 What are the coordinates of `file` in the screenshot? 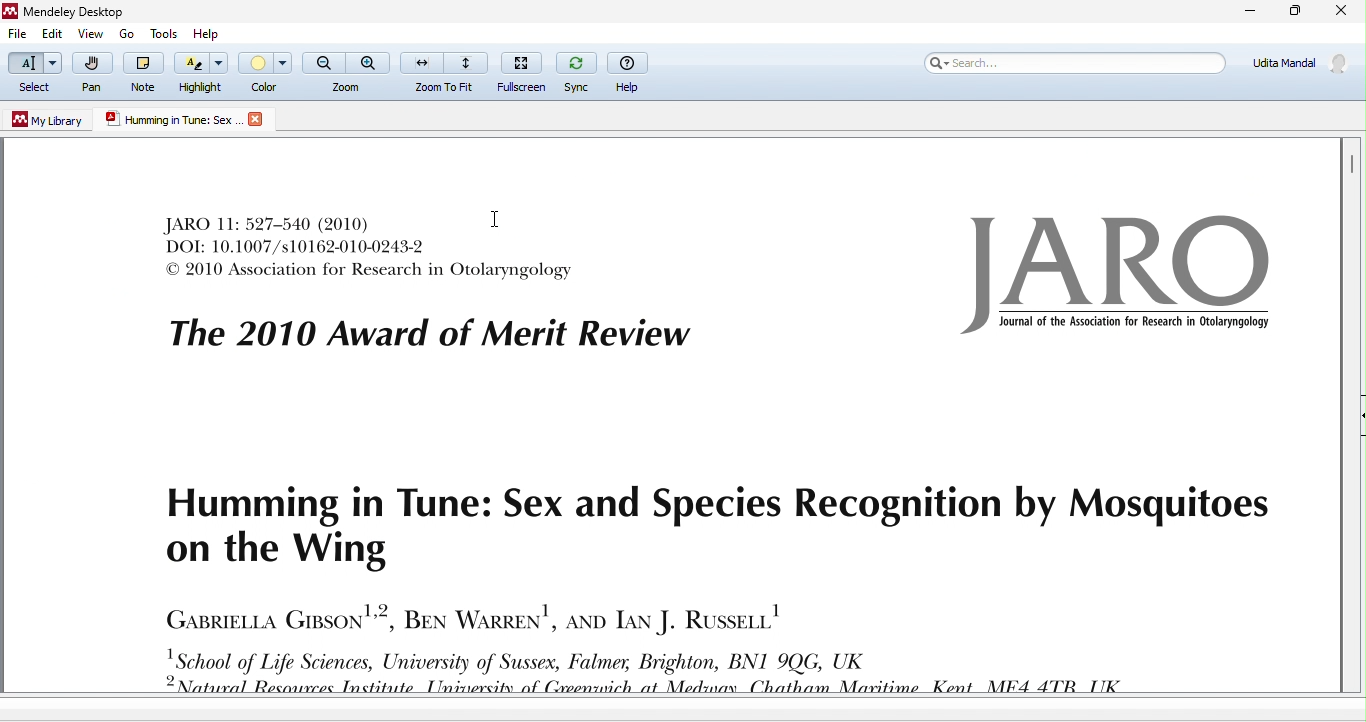 It's located at (19, 36).